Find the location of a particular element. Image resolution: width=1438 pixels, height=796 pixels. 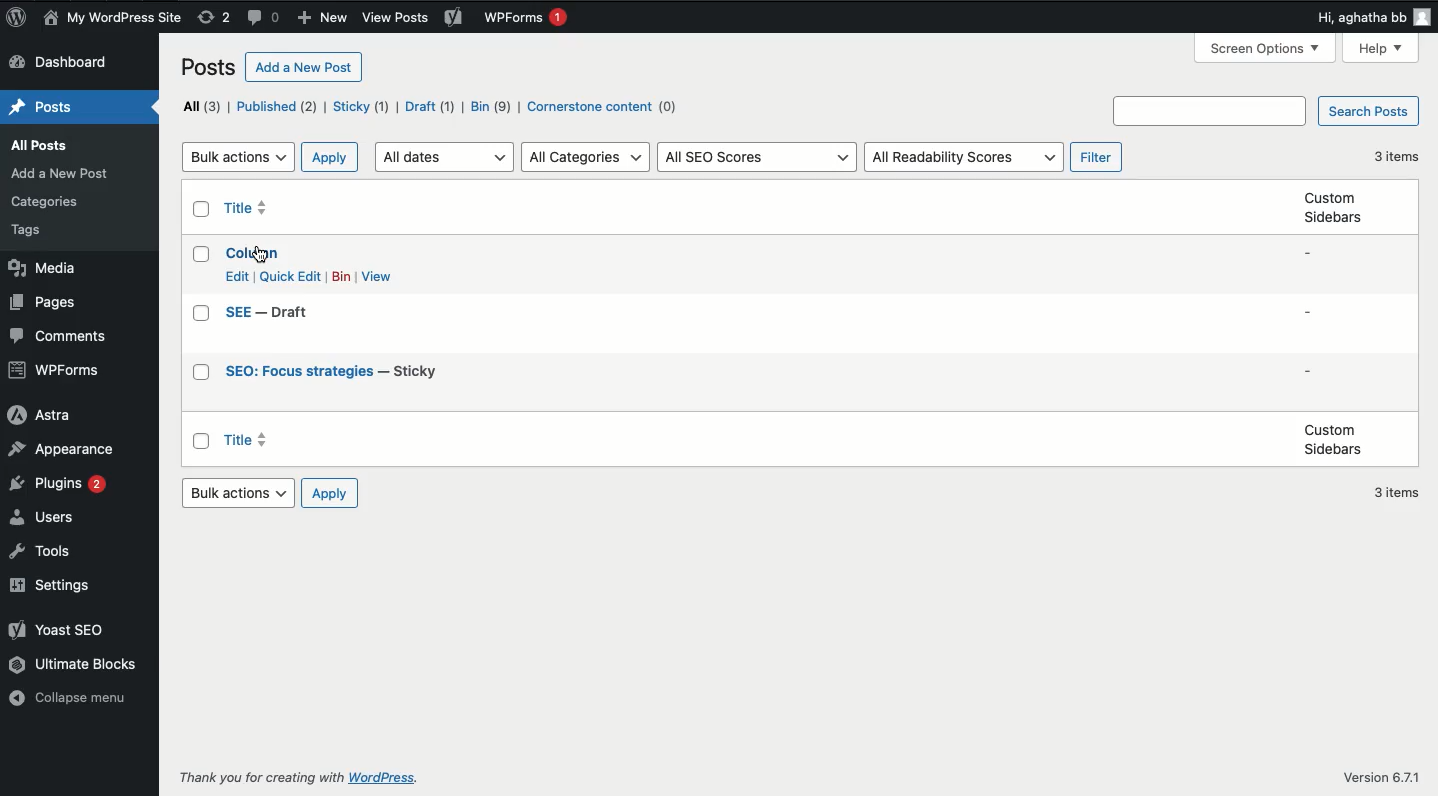

Checkbox is located at coordinates (202, 256).